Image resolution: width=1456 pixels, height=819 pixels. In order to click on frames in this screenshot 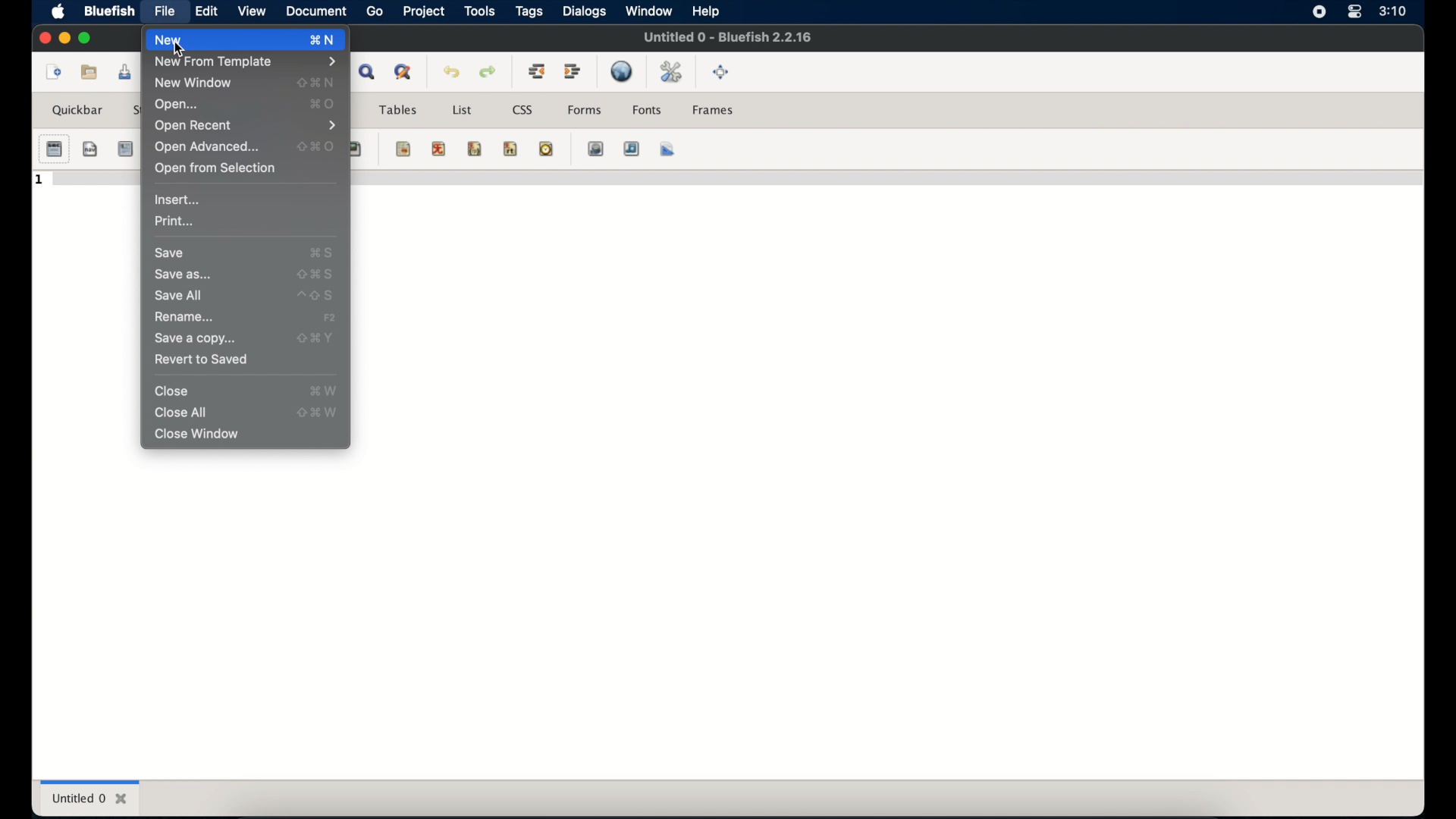, I will do `click(714, 110)`.